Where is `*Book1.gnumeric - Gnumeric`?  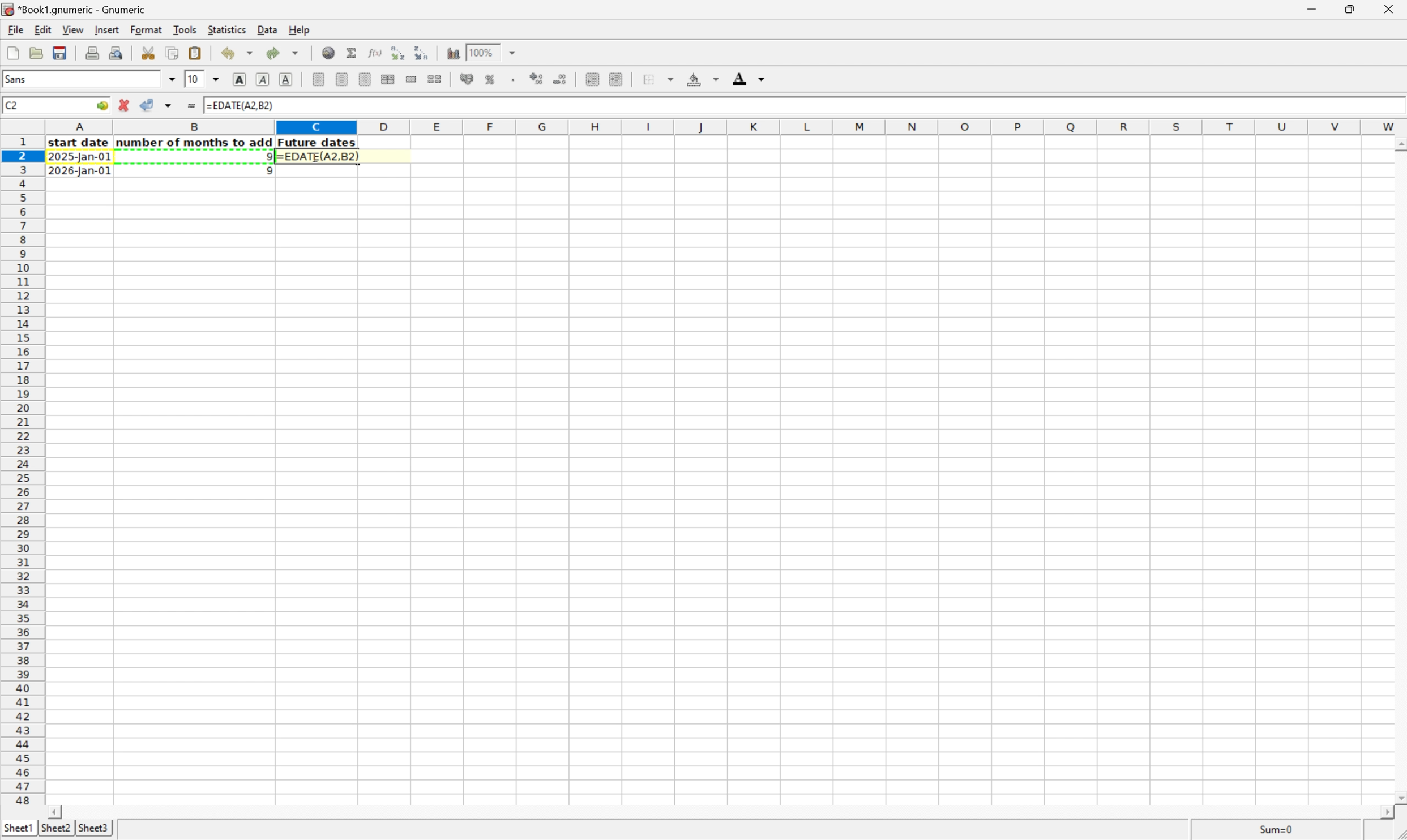 *Book1.gnumeric - Gnumeric is located at coordinates (76, 10).